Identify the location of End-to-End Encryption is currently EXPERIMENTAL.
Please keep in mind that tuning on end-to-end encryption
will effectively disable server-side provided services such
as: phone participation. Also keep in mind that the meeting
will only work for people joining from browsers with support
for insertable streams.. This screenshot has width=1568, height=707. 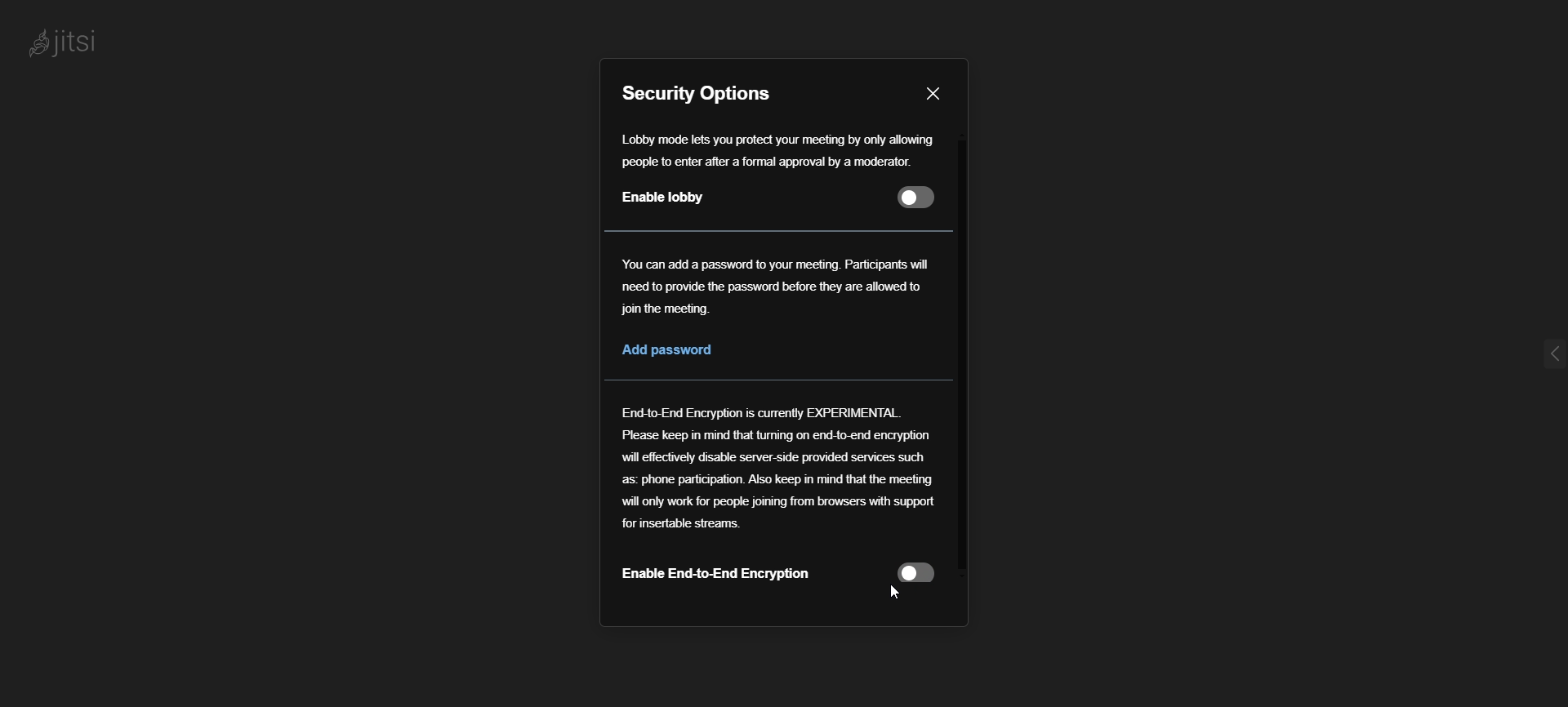
(780, 466).